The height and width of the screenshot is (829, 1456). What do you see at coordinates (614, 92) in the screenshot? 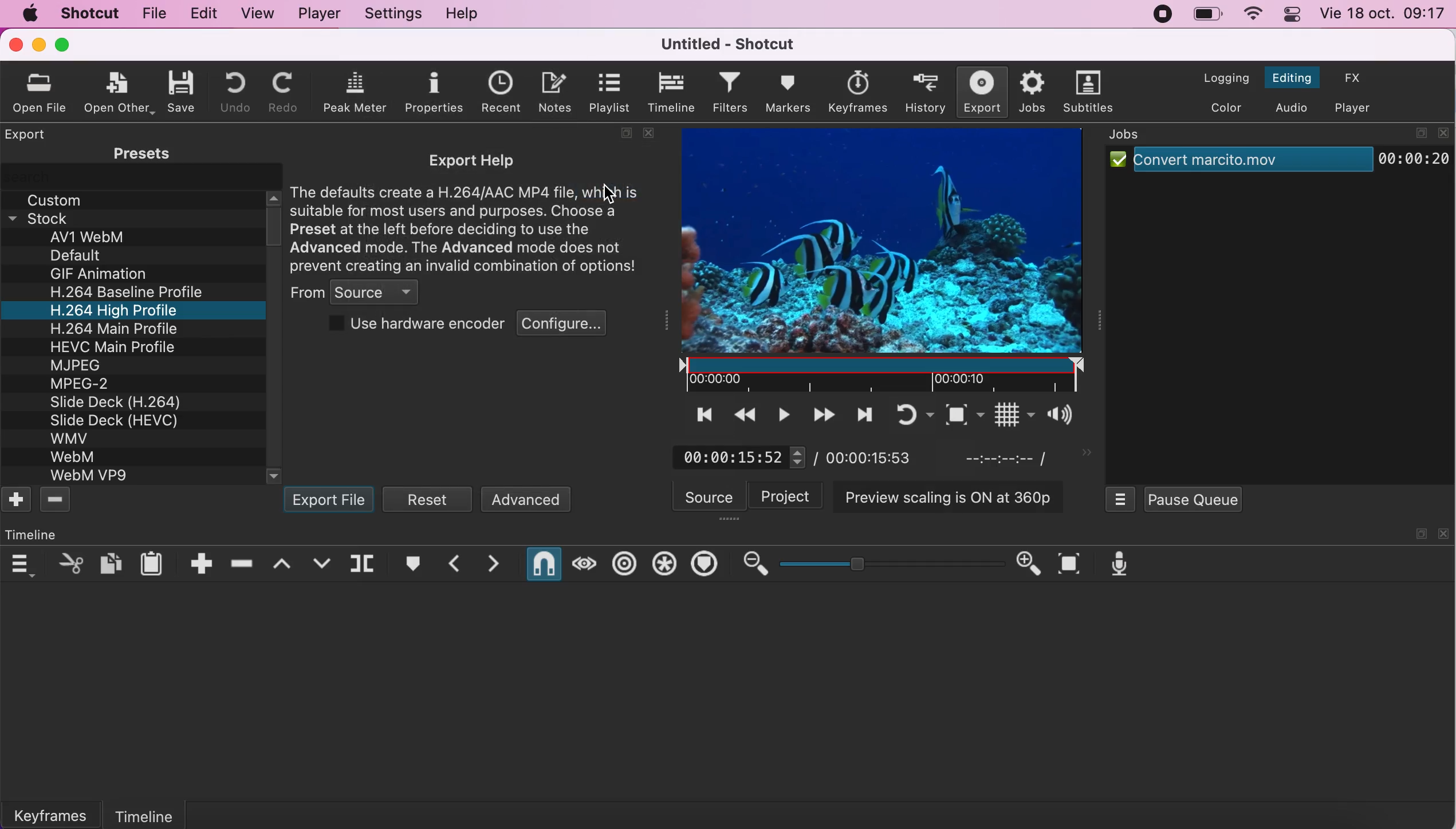
I see `playlist` at bounding box center [614, 92].